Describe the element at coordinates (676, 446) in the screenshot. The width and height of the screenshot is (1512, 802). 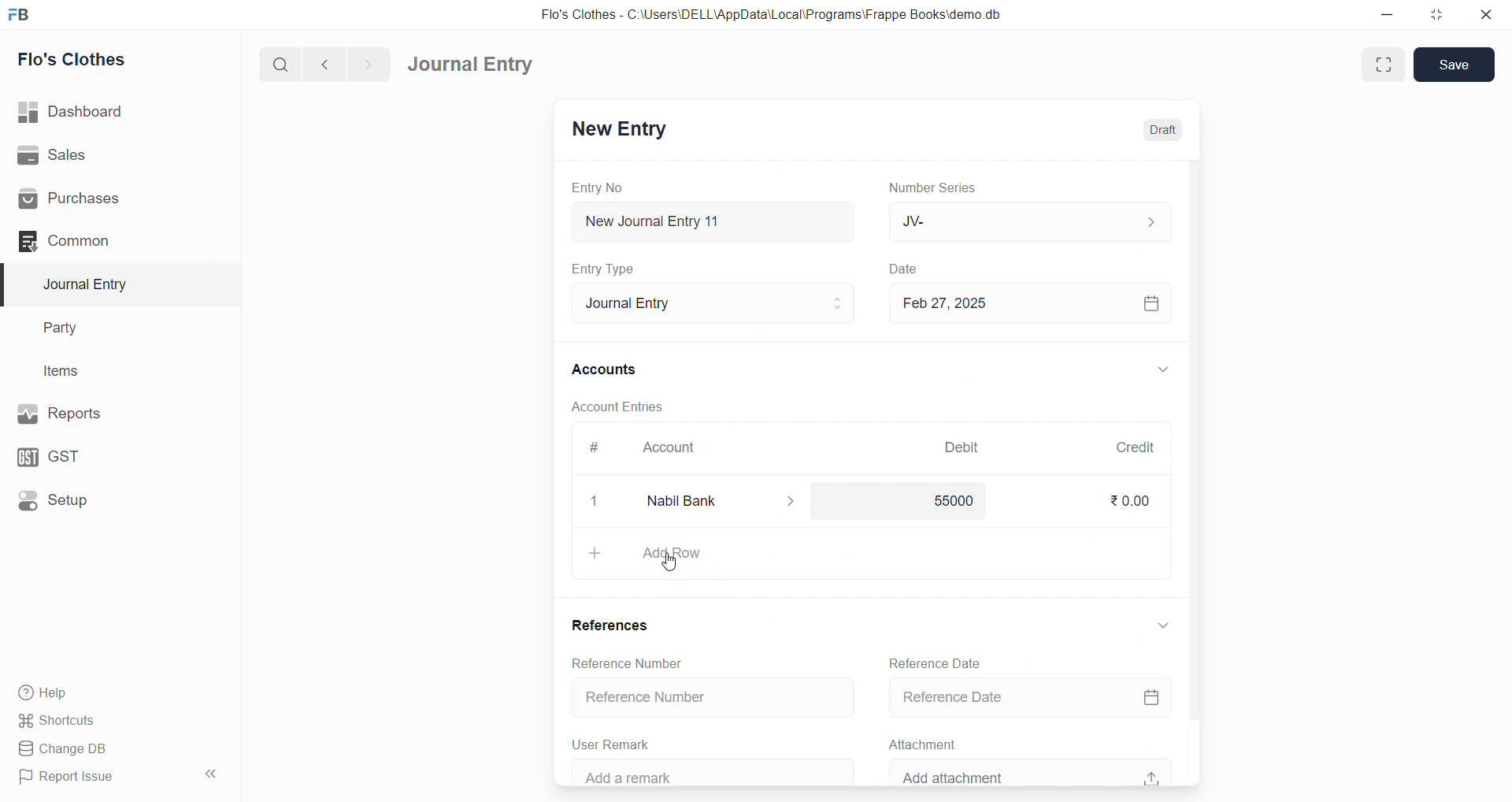
I see `Account` at that location.